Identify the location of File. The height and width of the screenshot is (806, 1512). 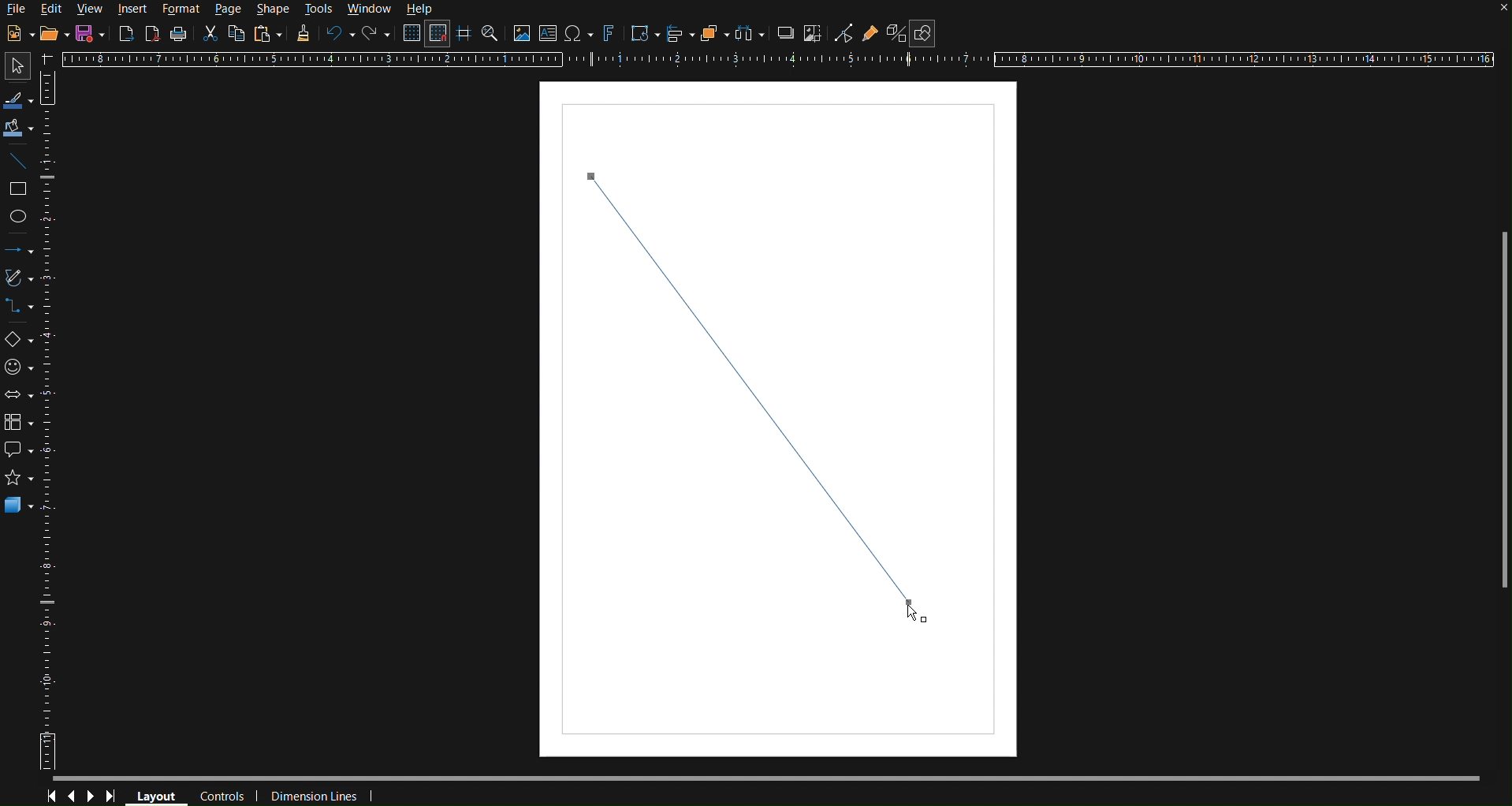
(17, 11).